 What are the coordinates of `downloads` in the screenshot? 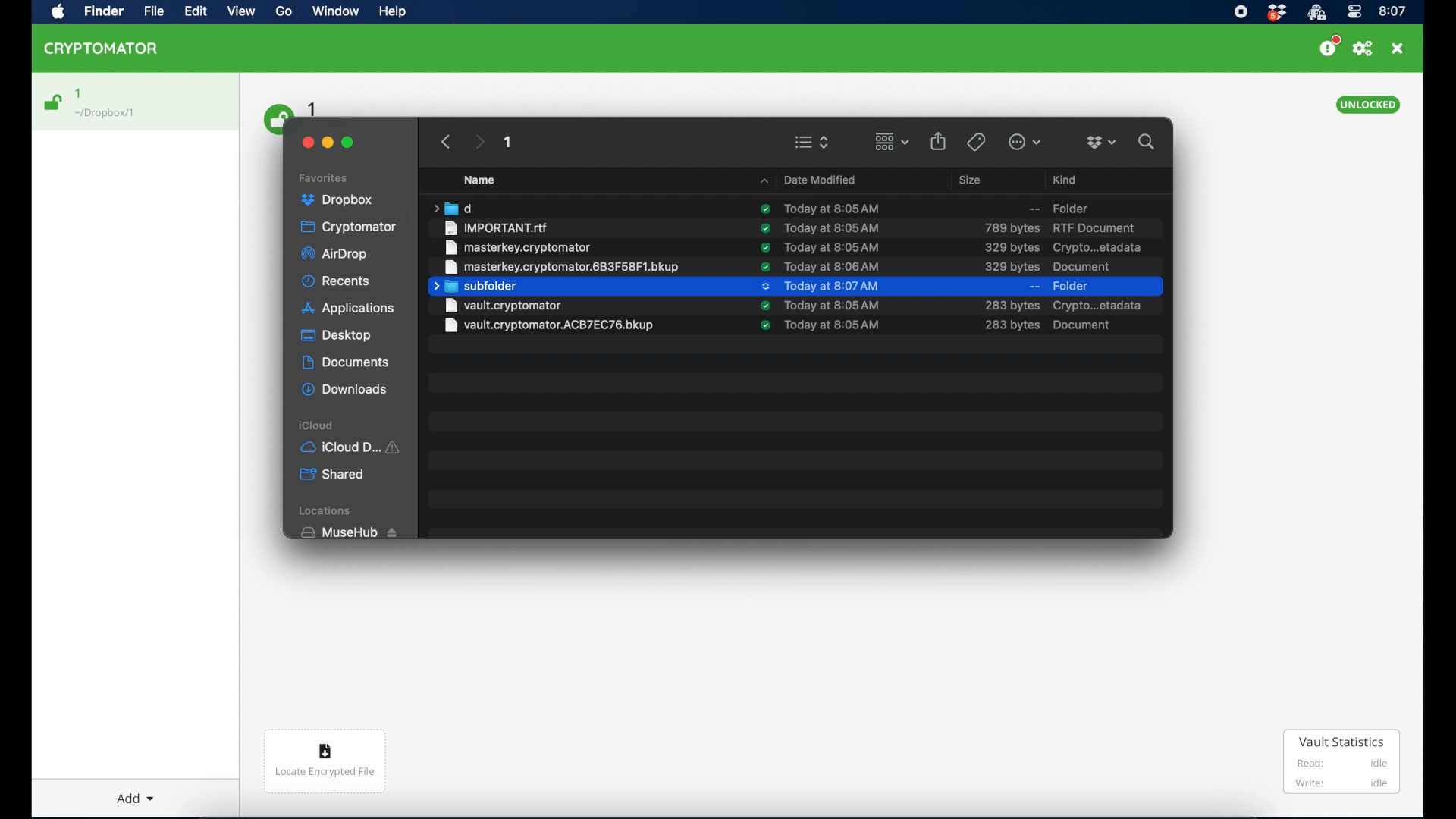 It's located at (344, 389).